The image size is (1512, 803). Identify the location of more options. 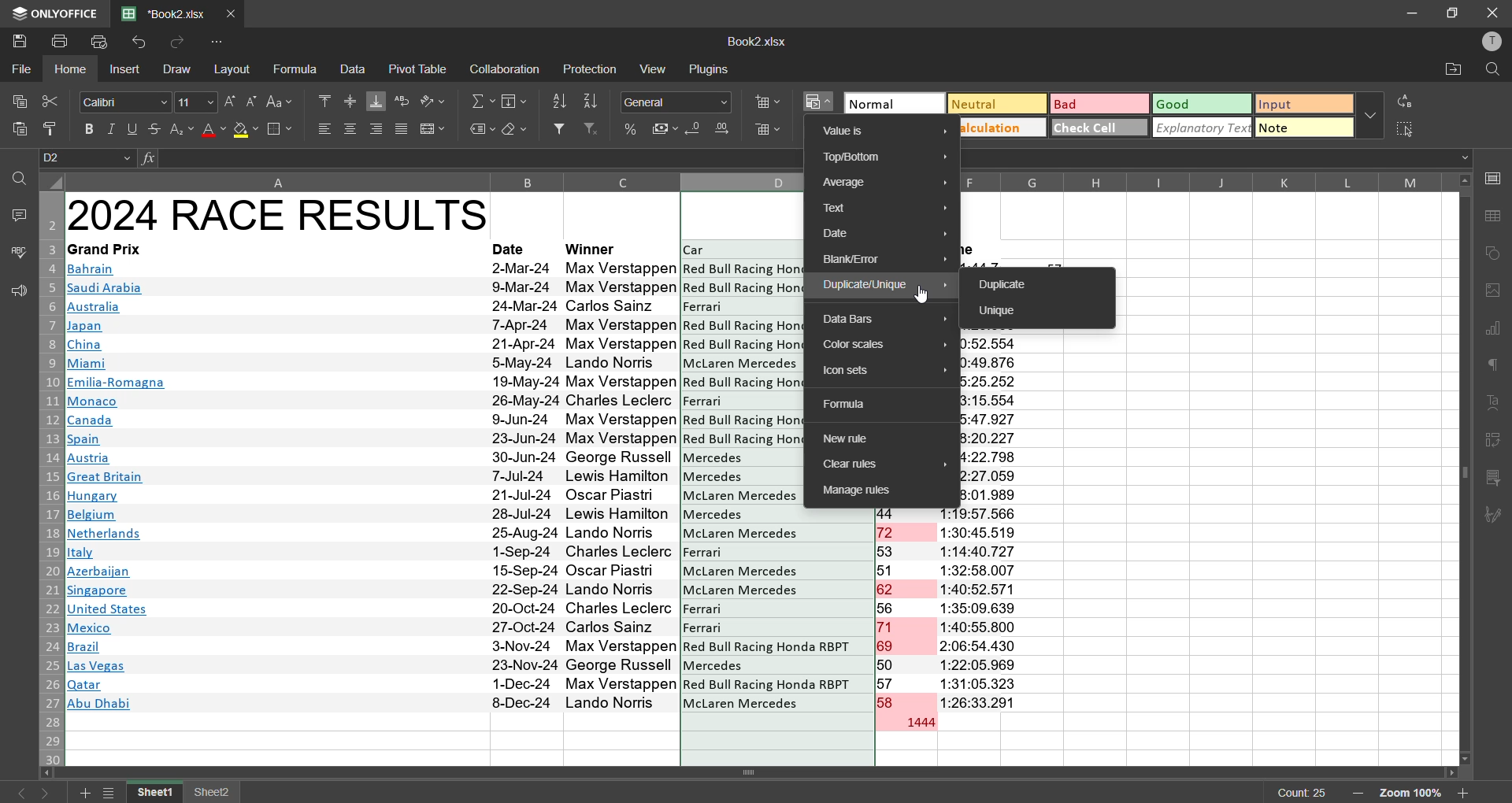
(1369, 114).